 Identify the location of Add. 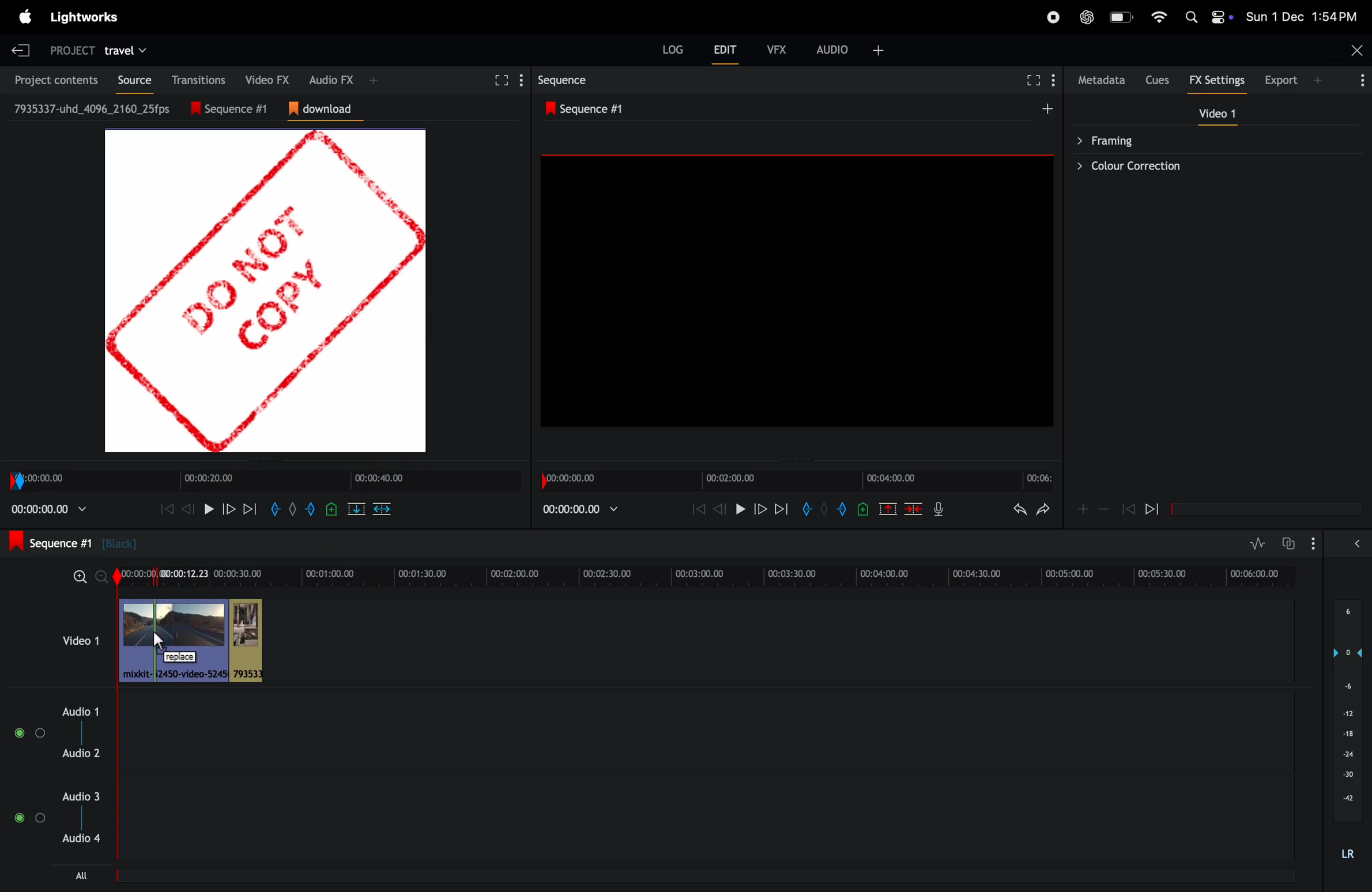
(293, 509).